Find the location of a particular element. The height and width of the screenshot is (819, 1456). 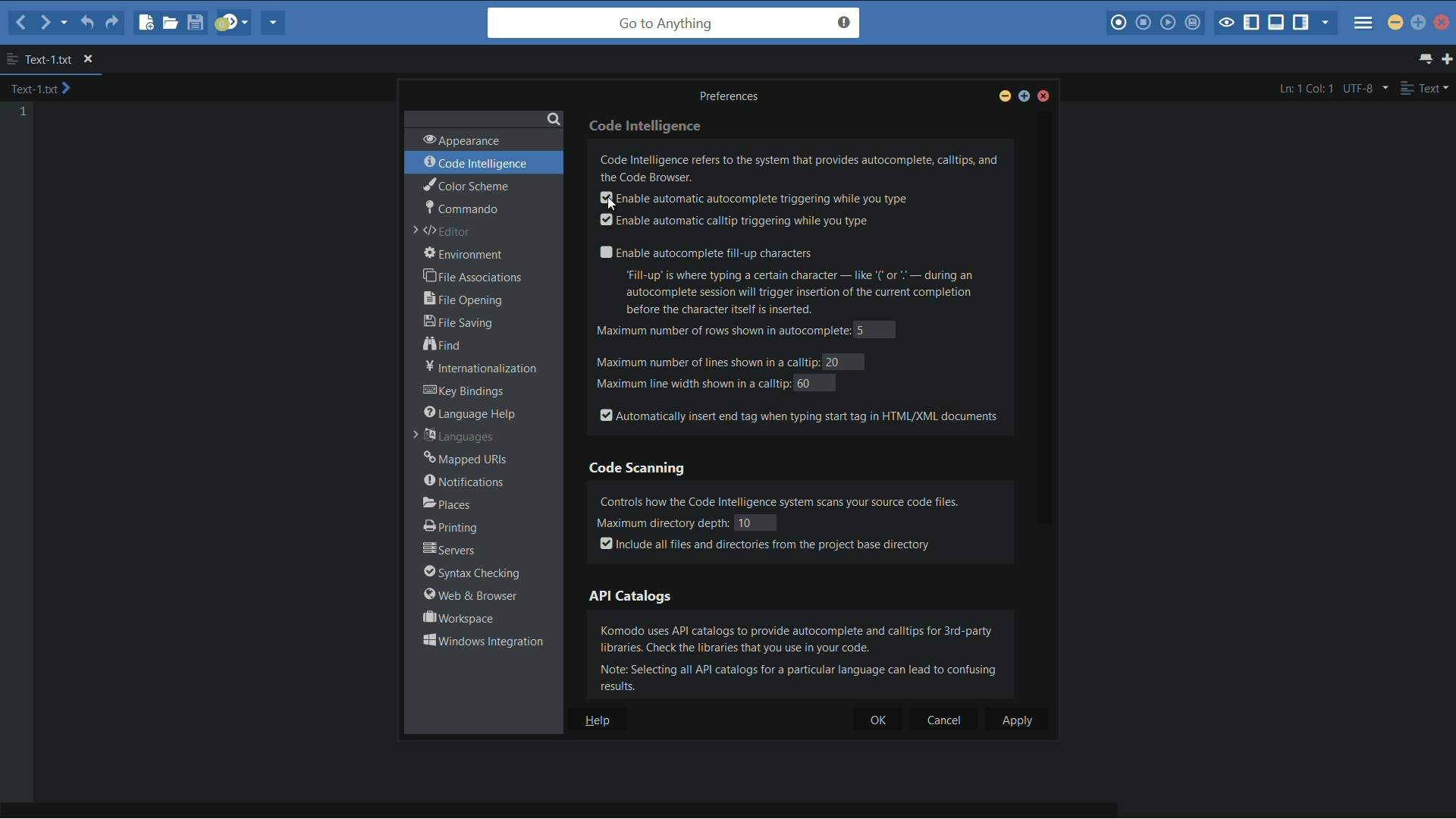

“Fill-up’ is where typing a certain character — like ‘(or " — during an
autocomplete session will trigger insertion of the current completion
before the character itself is inserted. is located at coordinates (811, 293).